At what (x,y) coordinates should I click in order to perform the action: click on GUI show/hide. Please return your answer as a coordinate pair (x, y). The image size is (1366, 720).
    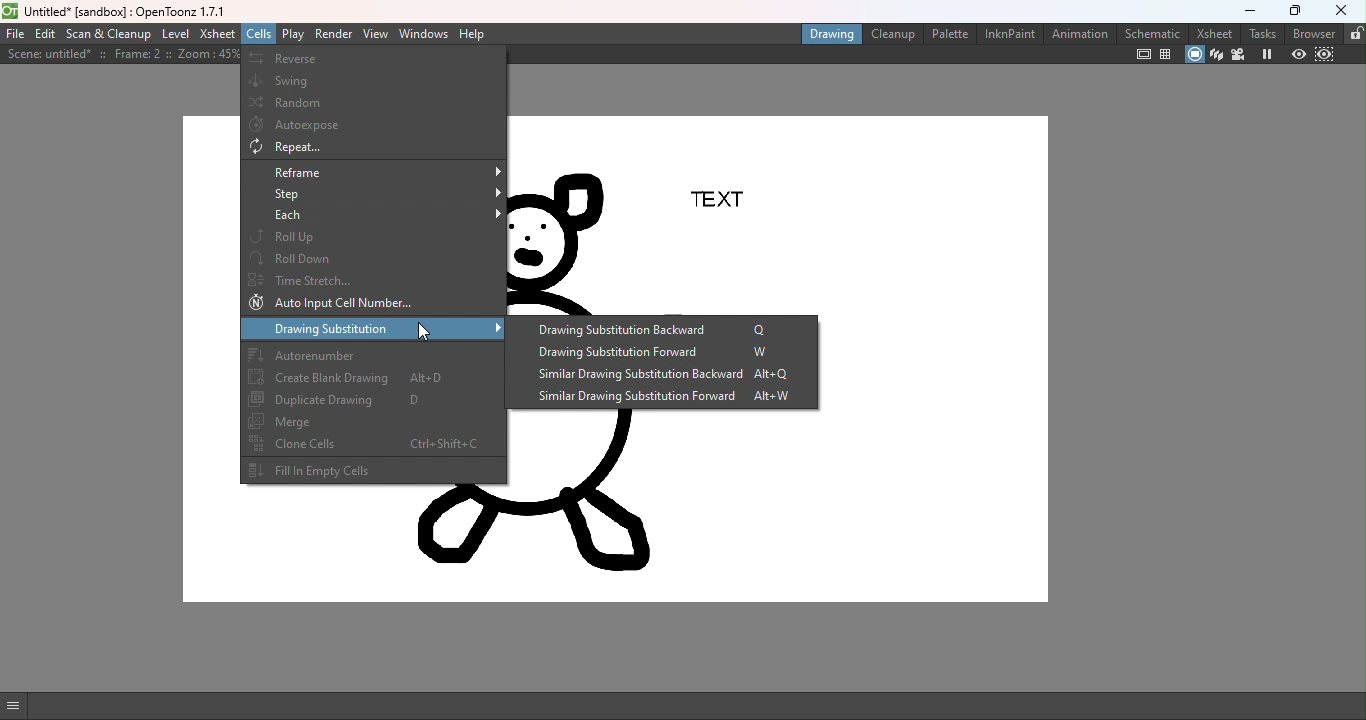
    Looking at the image, I should click on (19, 706).